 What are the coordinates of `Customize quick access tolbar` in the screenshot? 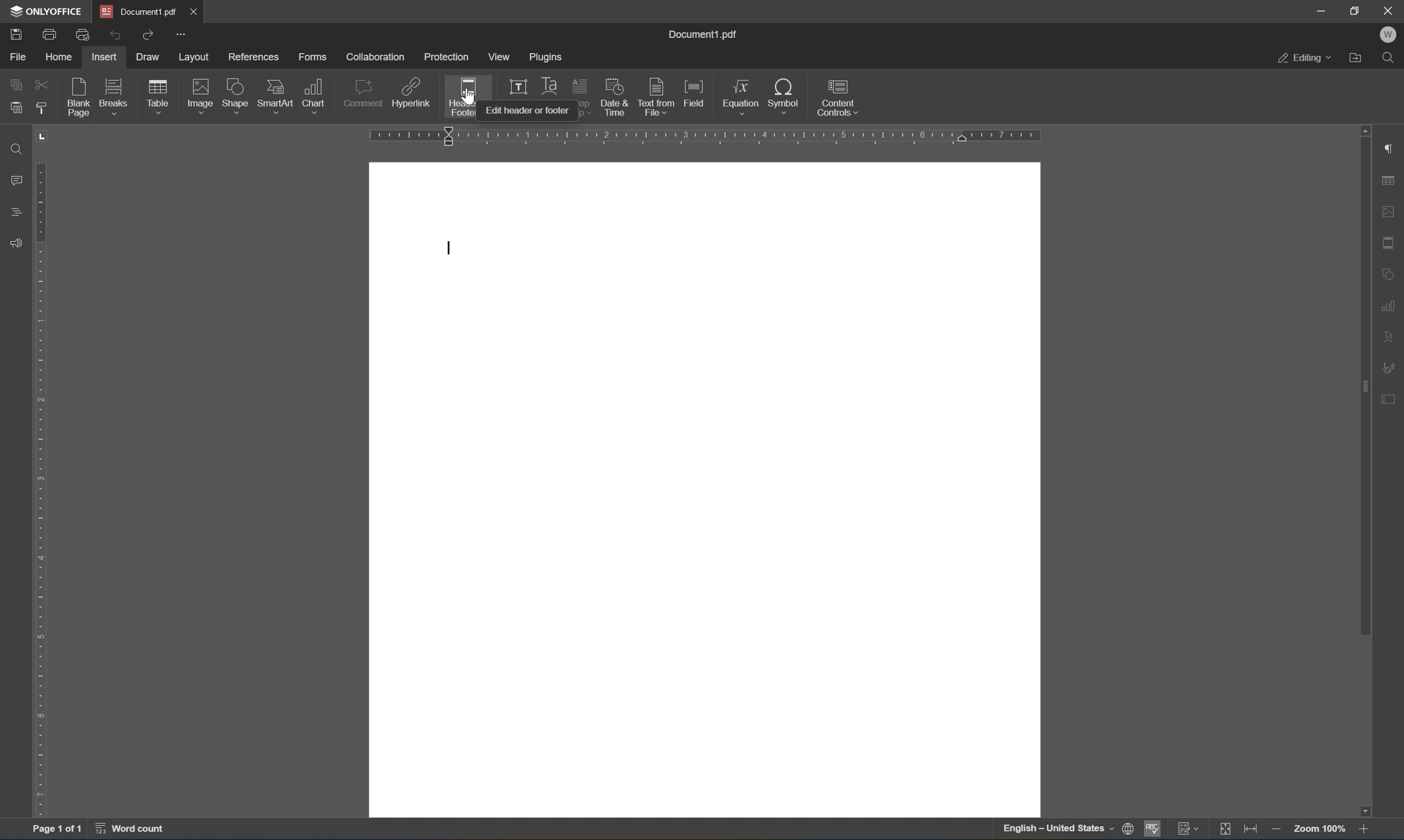 It's located at (182, 36).